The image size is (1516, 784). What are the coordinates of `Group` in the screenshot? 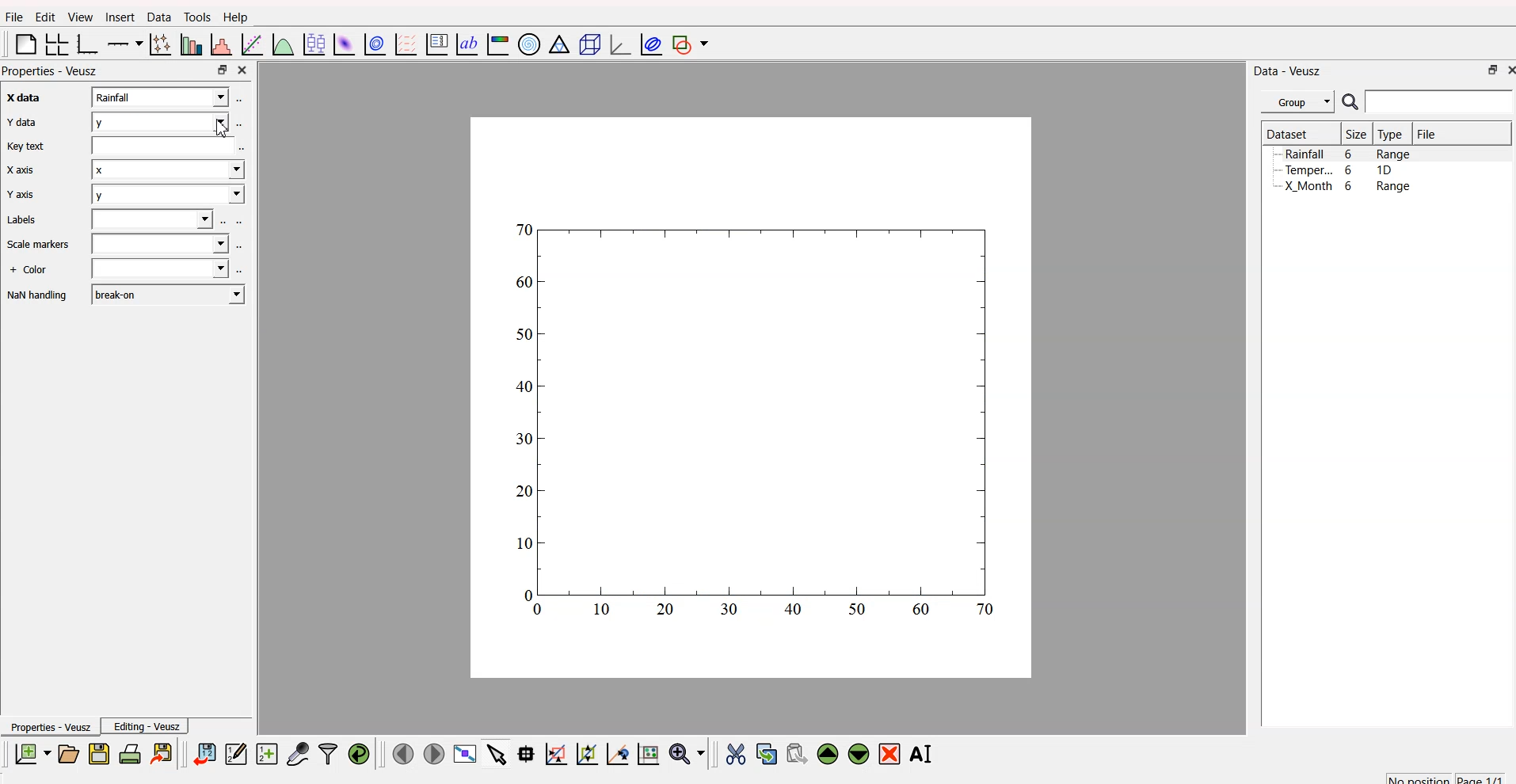 It's located at (1297, 102).